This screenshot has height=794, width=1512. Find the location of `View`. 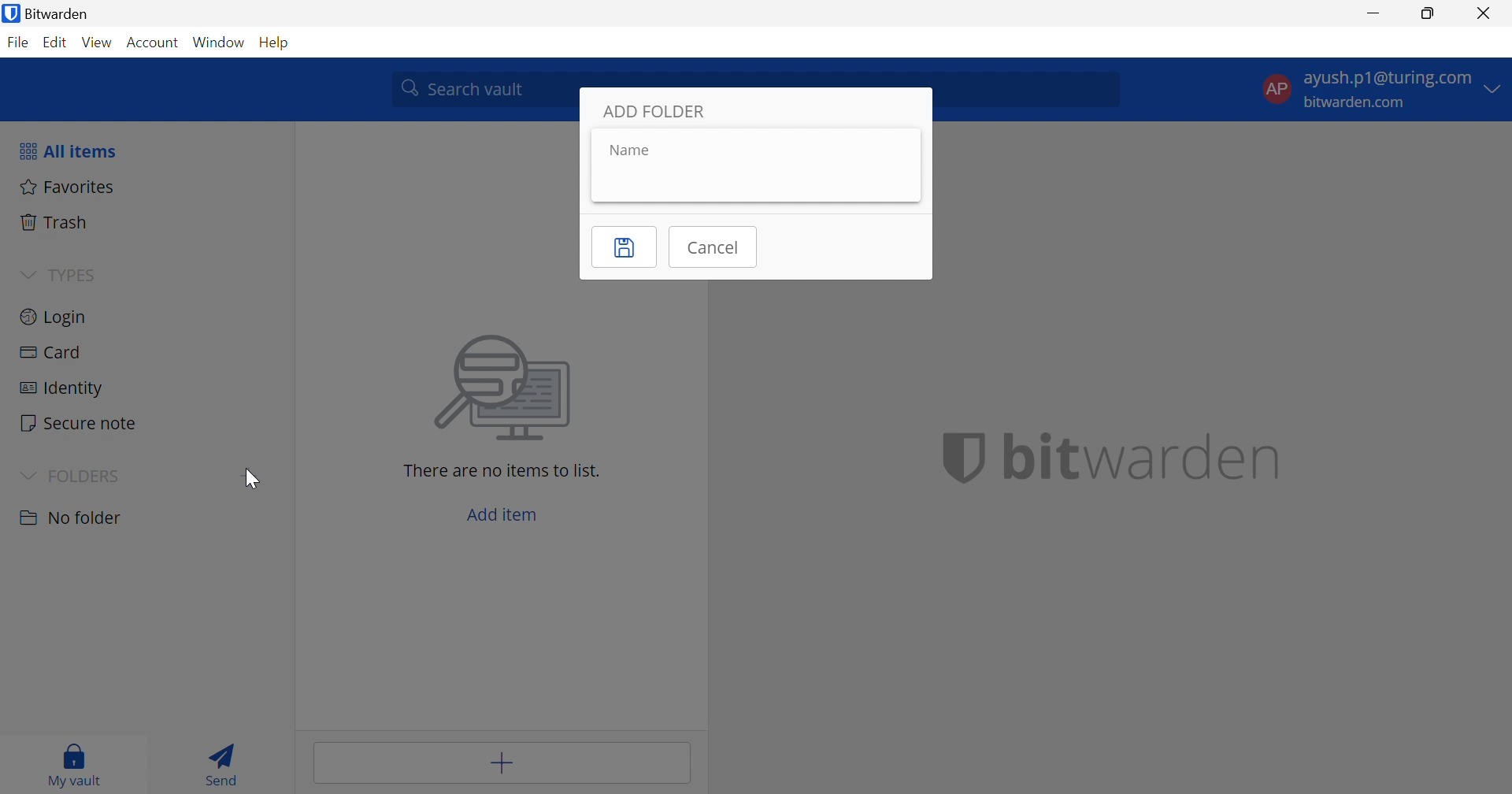

View is located at coordinates (98, 43).